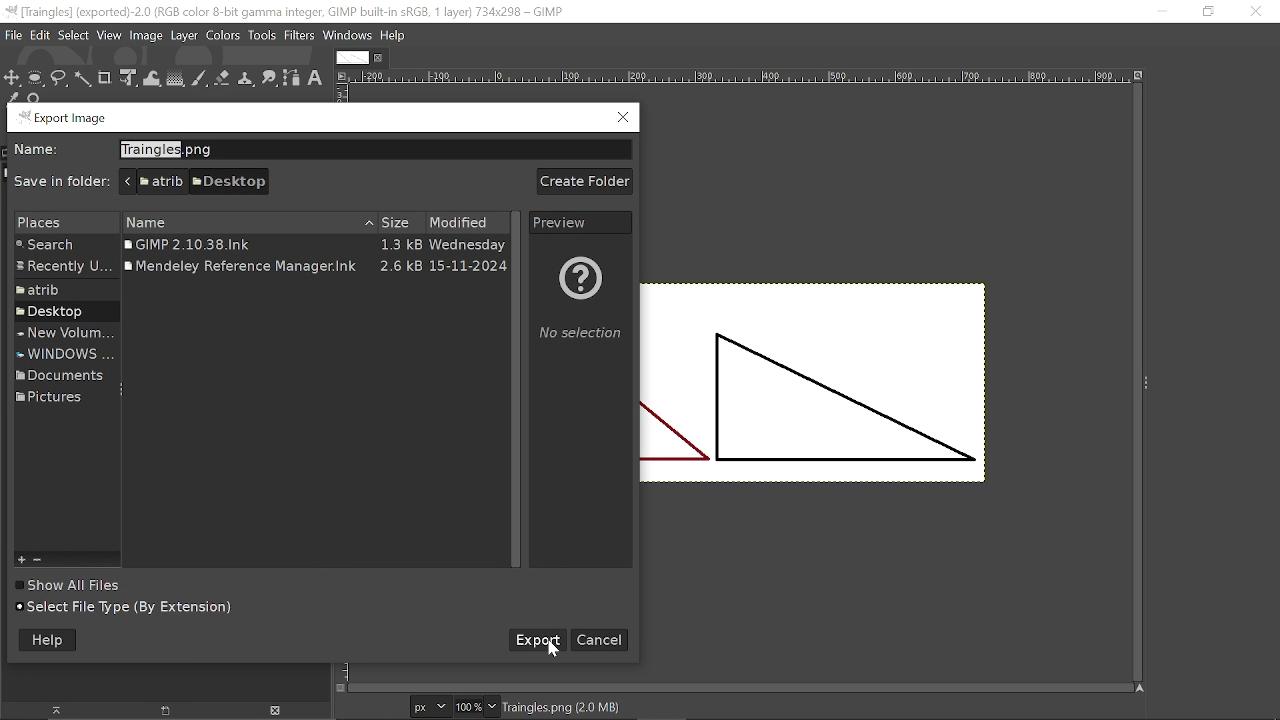  Describe the element at coordinates (12, 98) in the screenshot. I see `Color picker tool` at that location.